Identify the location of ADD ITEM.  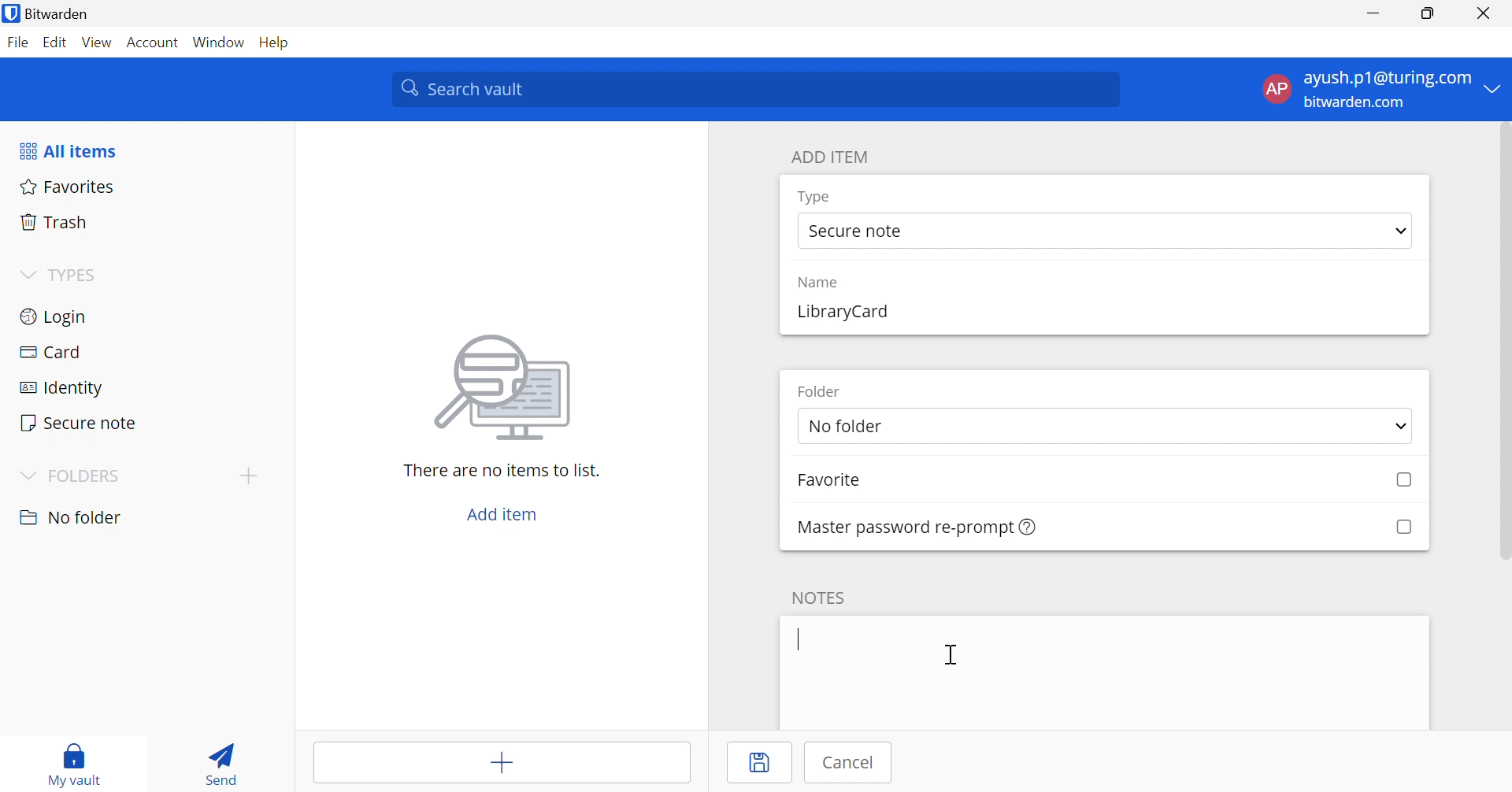
(830, 156).